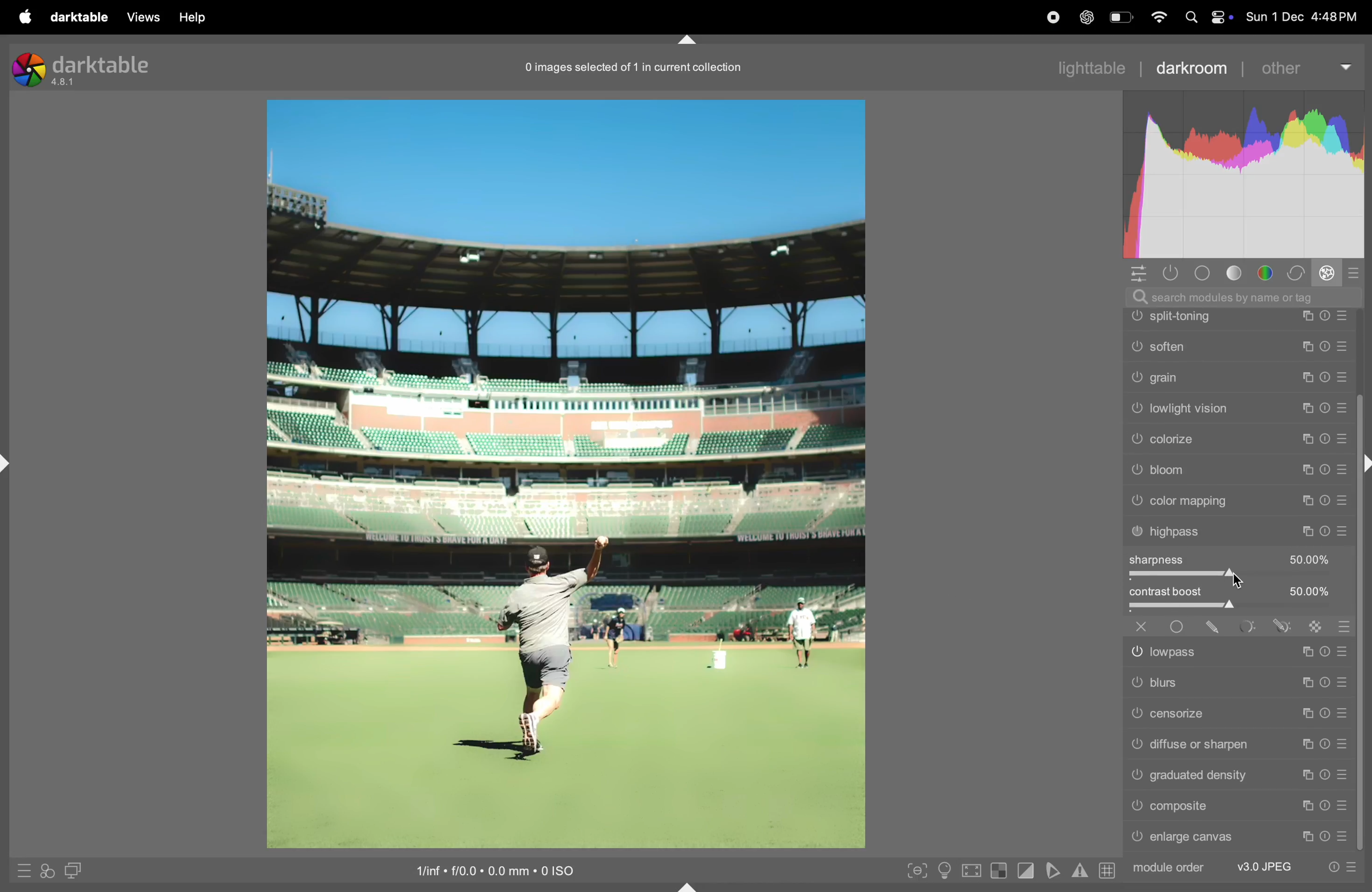  What do you see at coordinates (1238, 436) in the screenshot?
I see `soften` at bounding box center [1238, 436].